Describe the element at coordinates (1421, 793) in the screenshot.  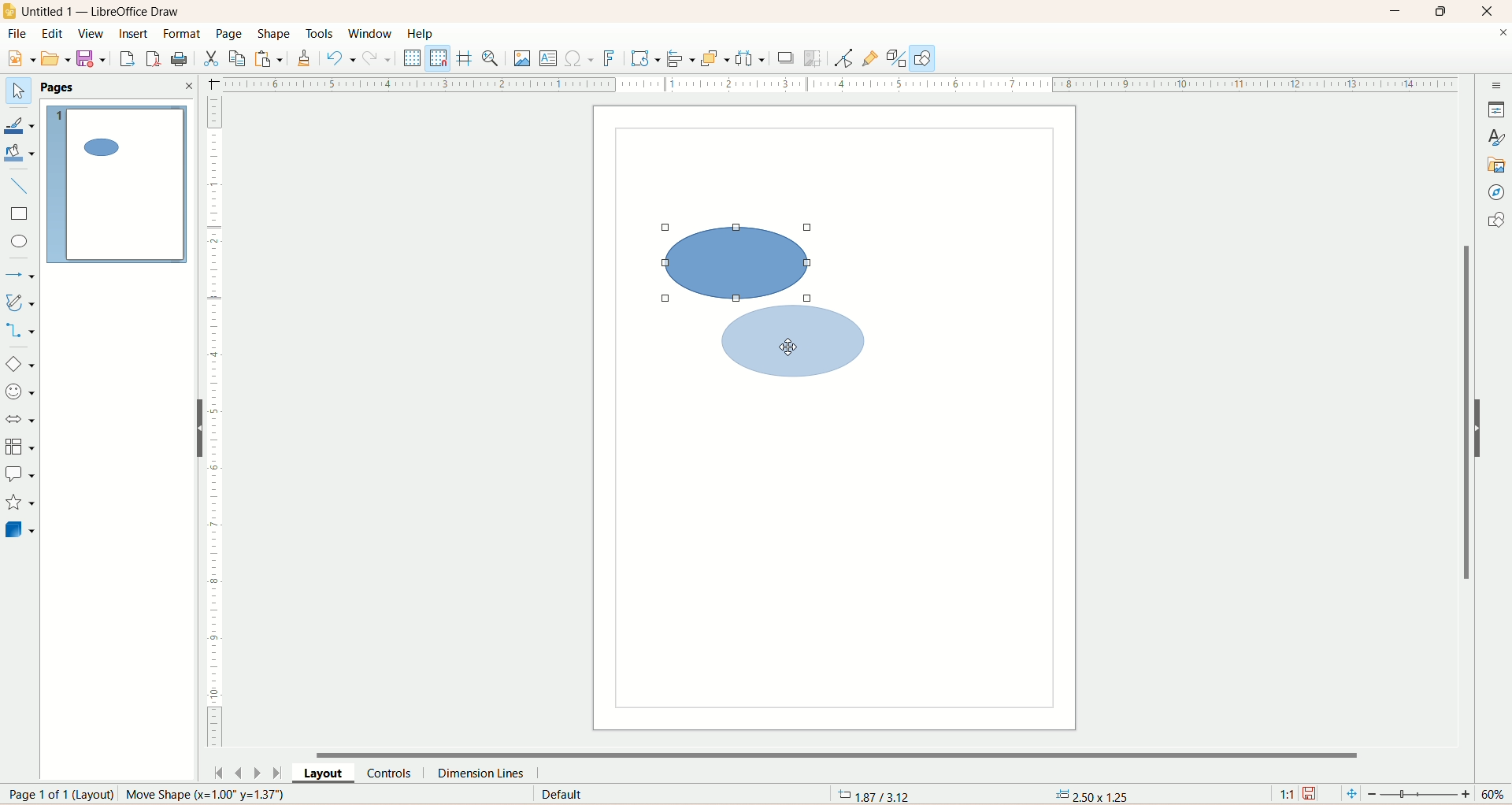
I see `zoom factor` at that location.